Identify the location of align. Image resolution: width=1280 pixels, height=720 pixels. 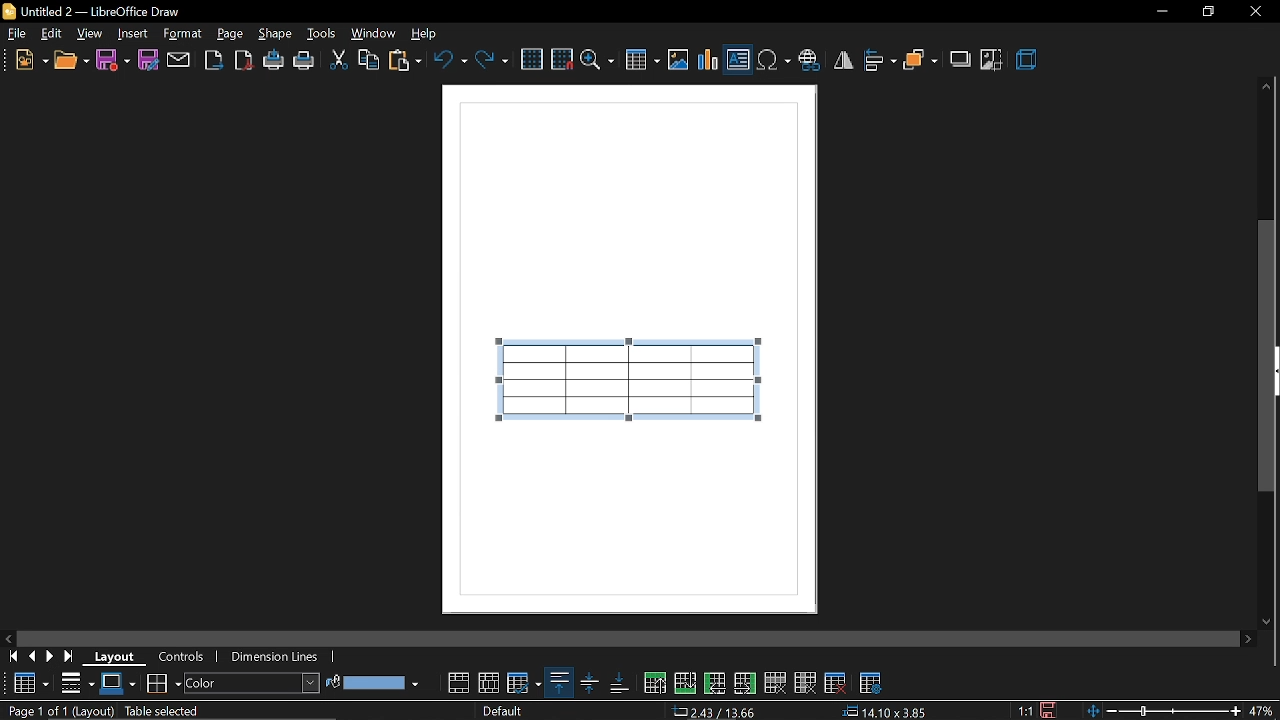
(879, 58).